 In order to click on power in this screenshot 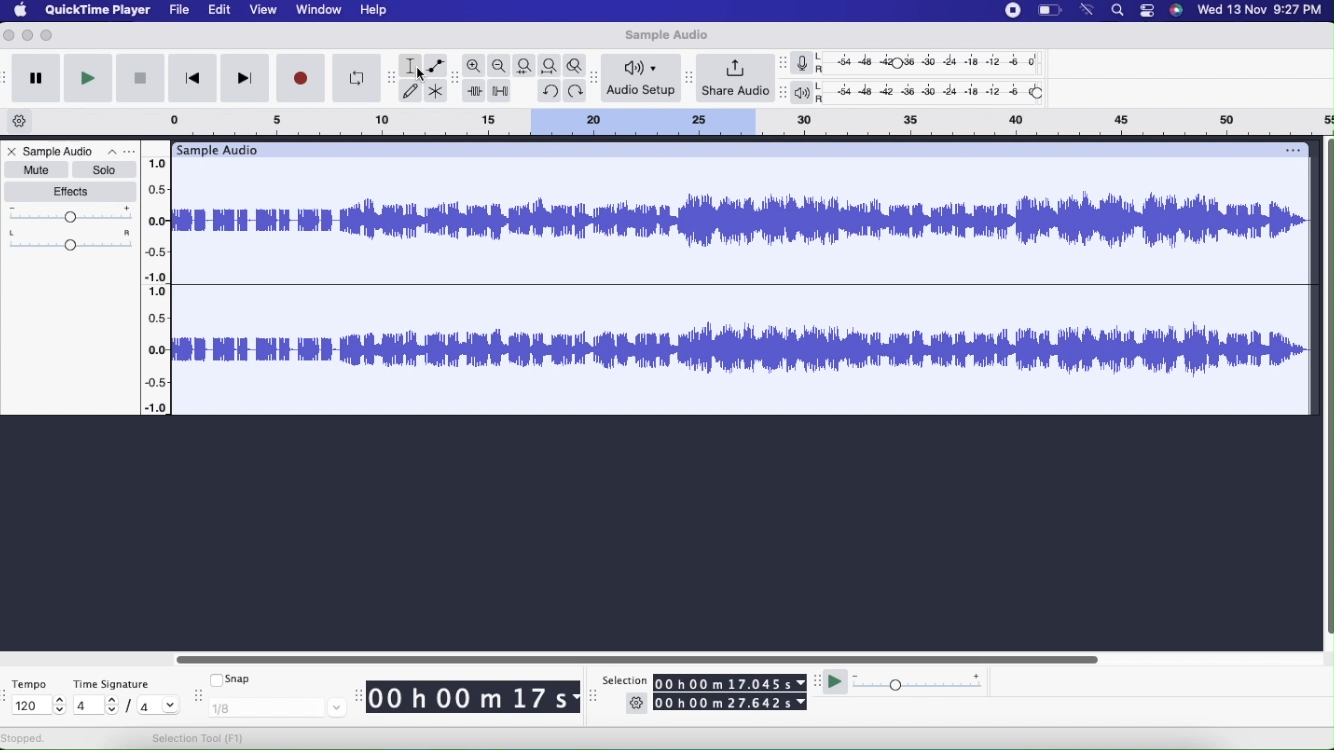, I will do `click(1050, 9)`.